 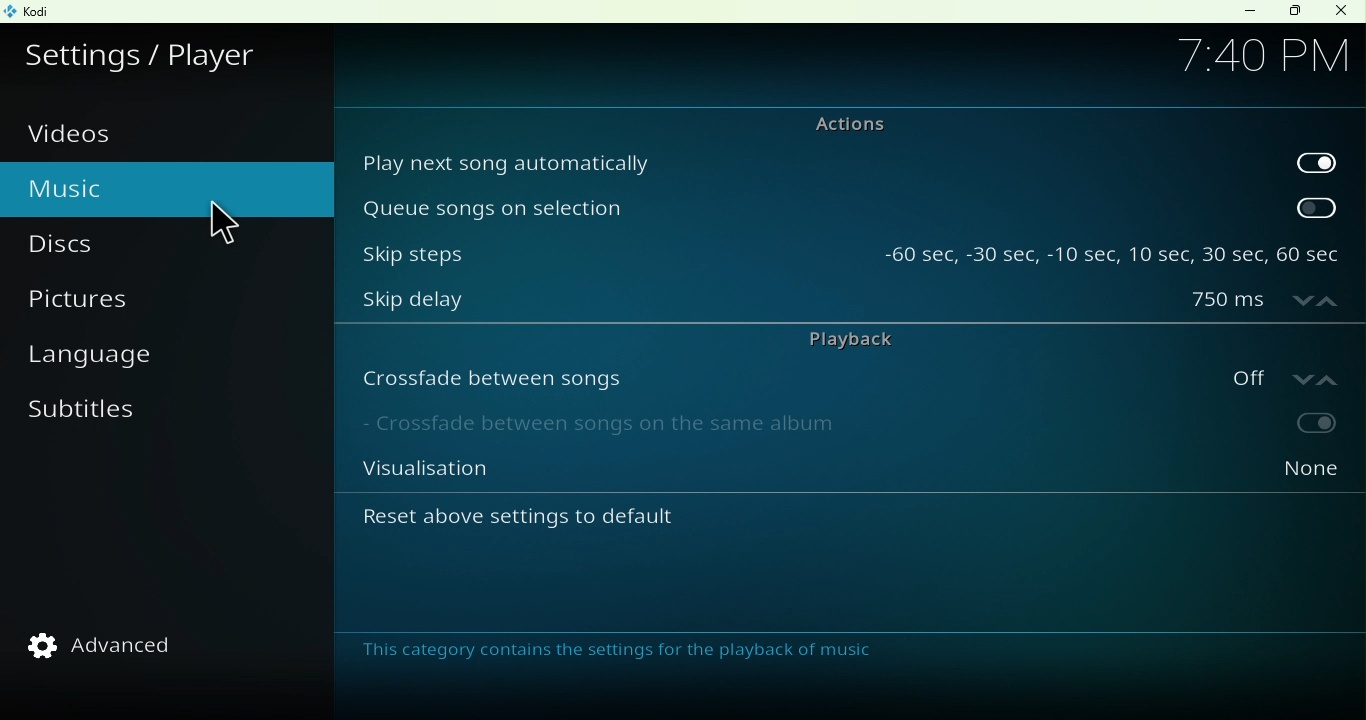 What do you see at coordinates (759, 304) in the screenshot?
I see `Skip delay` at bounding box center [759, 304].